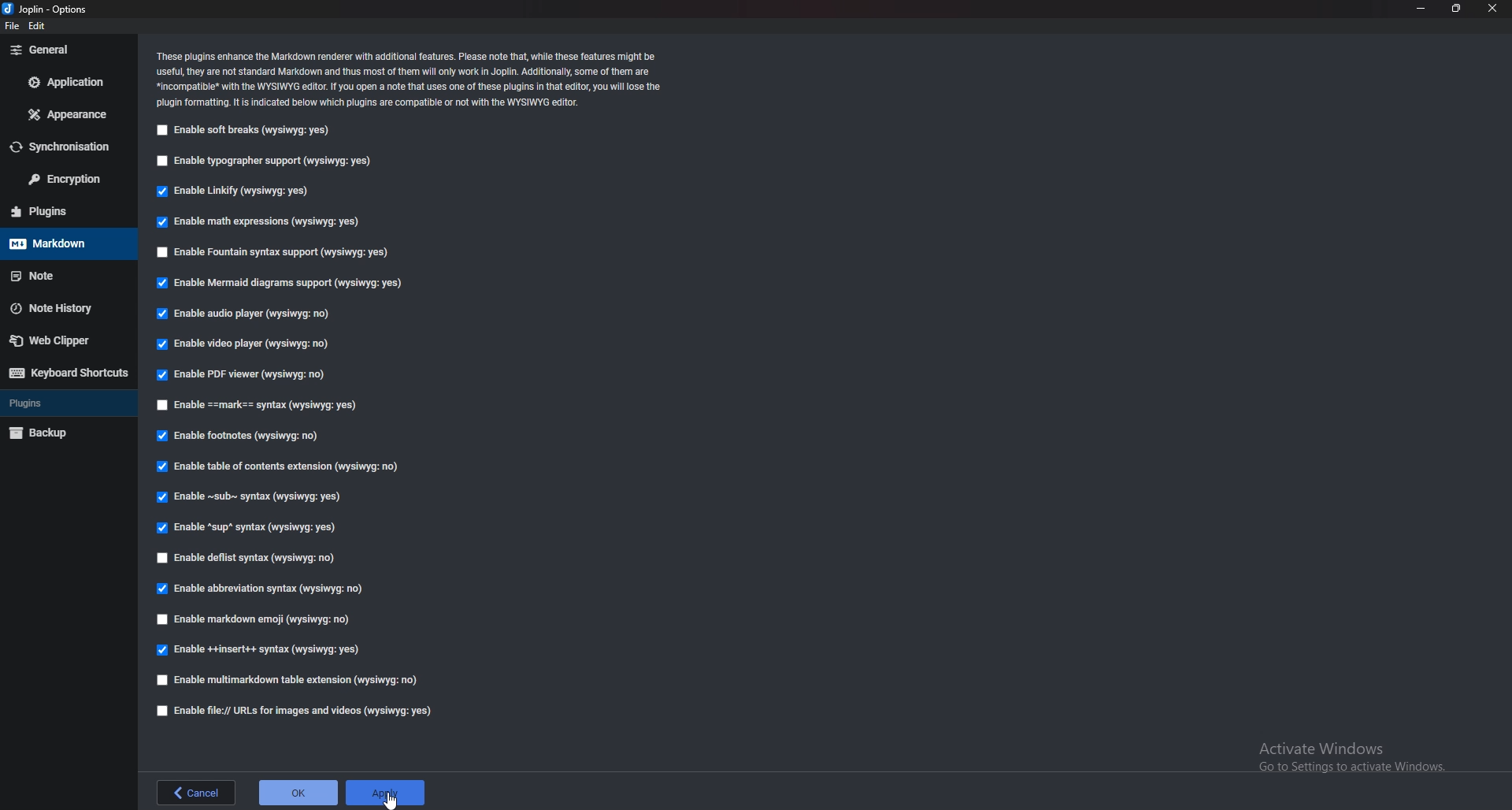 This screenshot has height=810, width=1512. Describe the element at coordinates (243, 437) in the screenshot. I see `Enable footnotes` at that location.